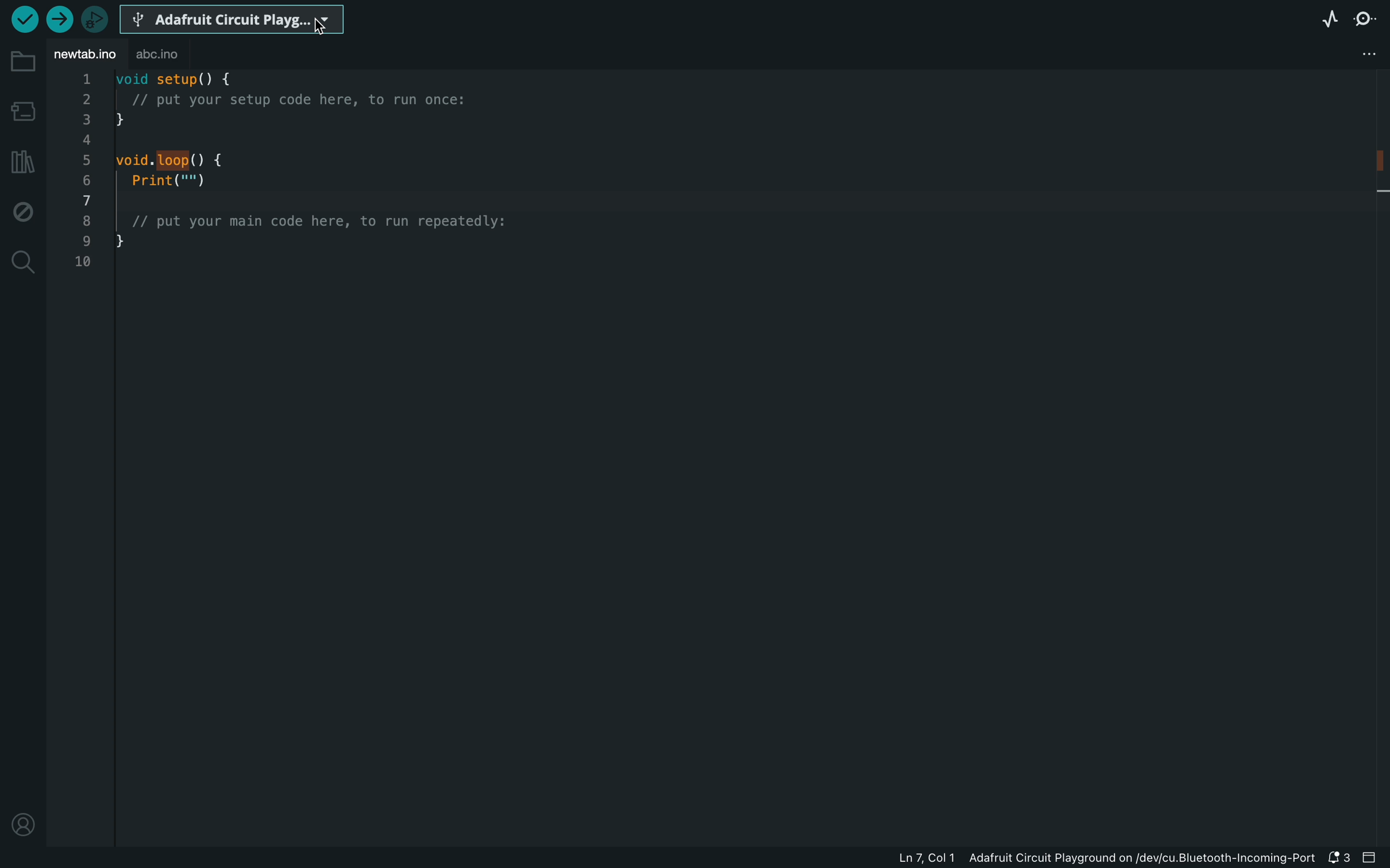 This screenshot has width=1390, height=868. Describe the element at coordinates (23, 22) in the screenshot. I see `verify` at that location.